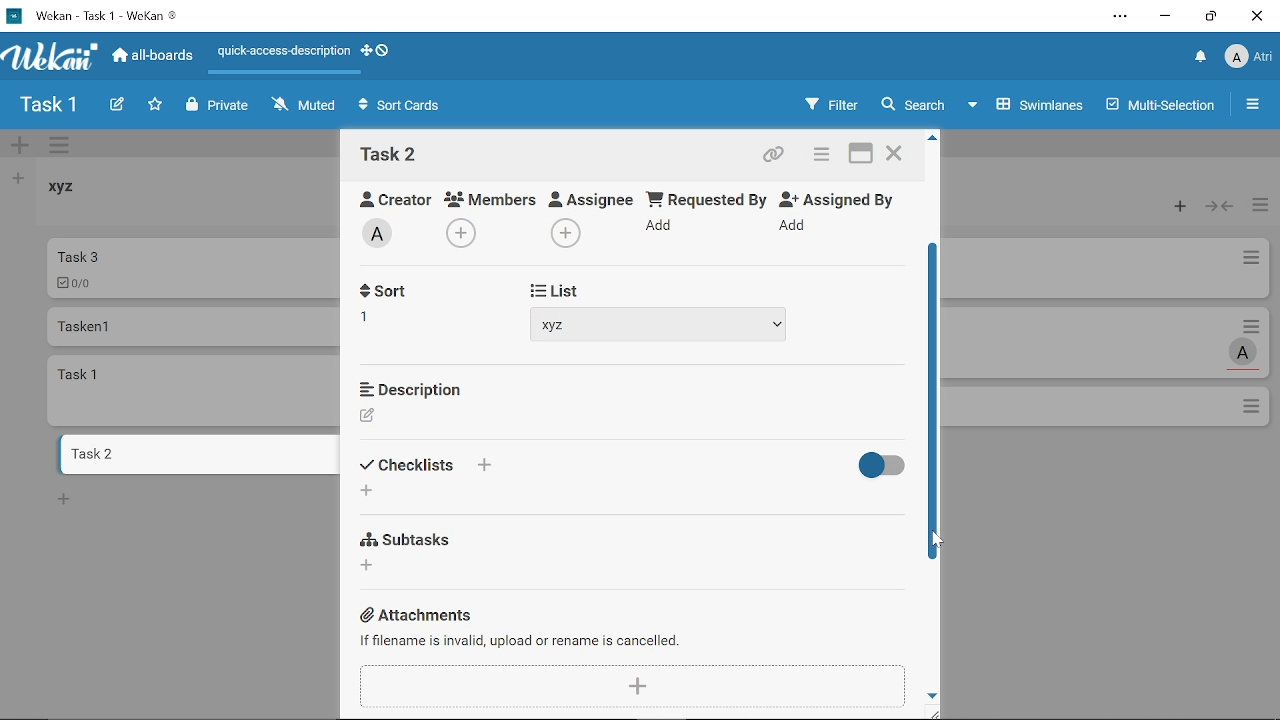 This screenshot has height=720, width=1280. I want to click on card named "task 1", so click(195, 390).